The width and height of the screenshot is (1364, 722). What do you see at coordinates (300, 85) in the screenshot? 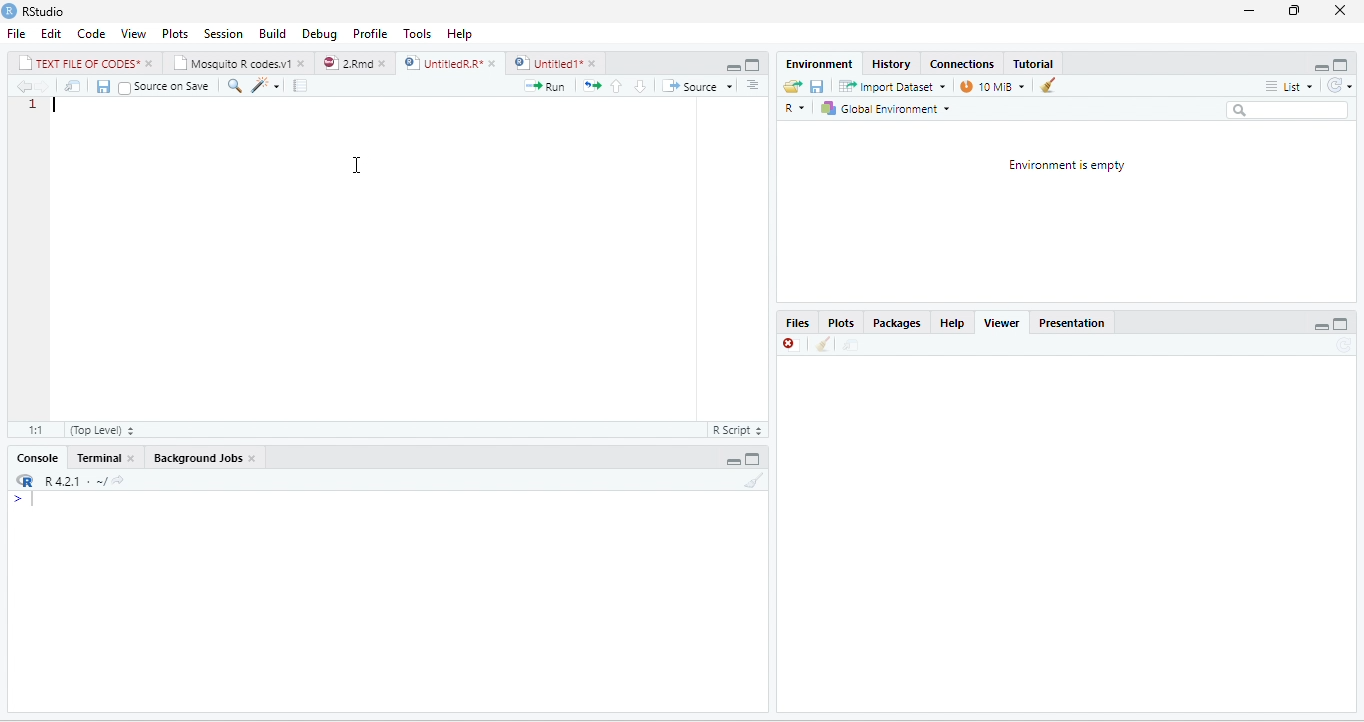
I see `compile report` at bounding box center [300, 85].